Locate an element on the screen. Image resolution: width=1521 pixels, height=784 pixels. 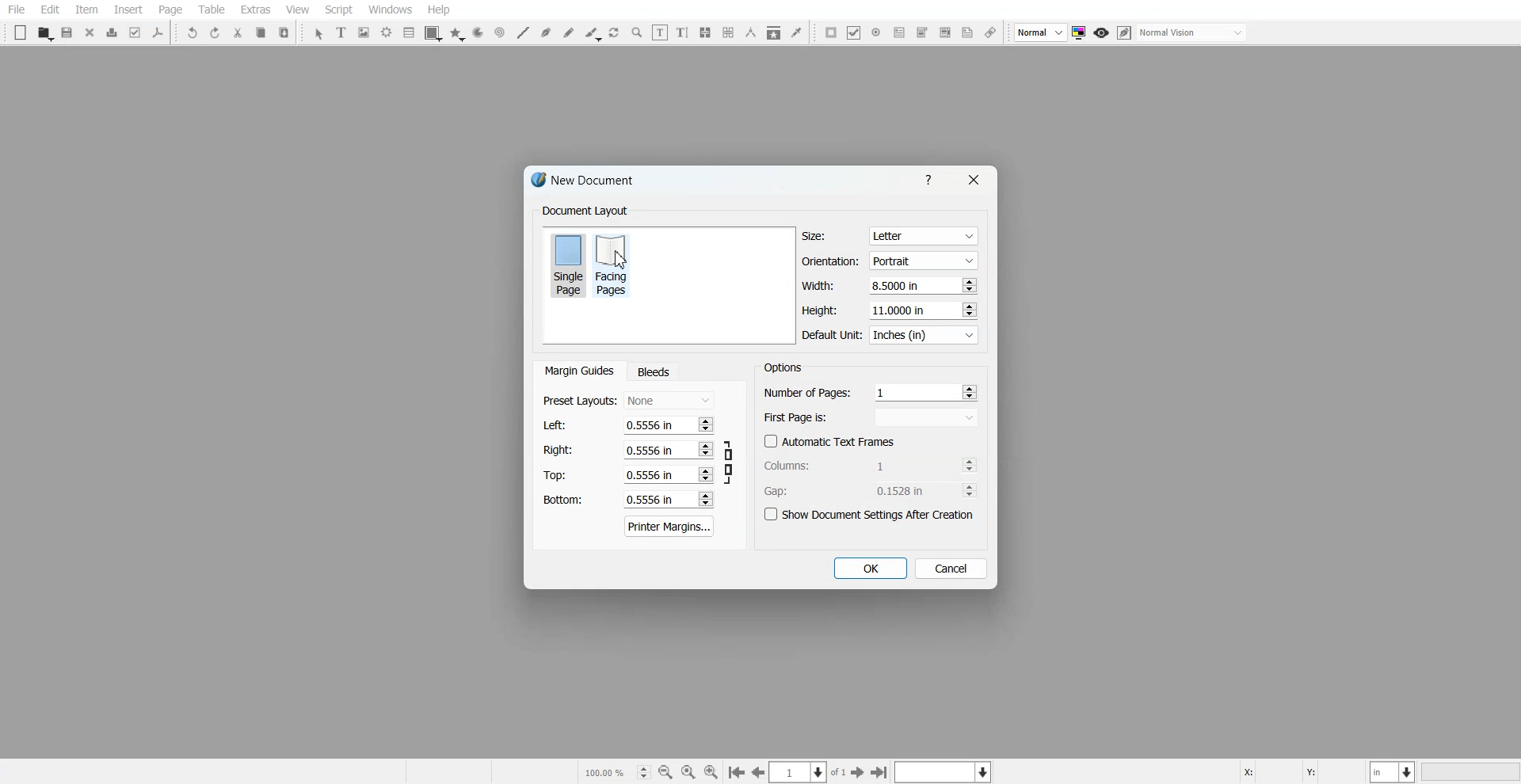
Orientation is located at coordinates (890, 261).